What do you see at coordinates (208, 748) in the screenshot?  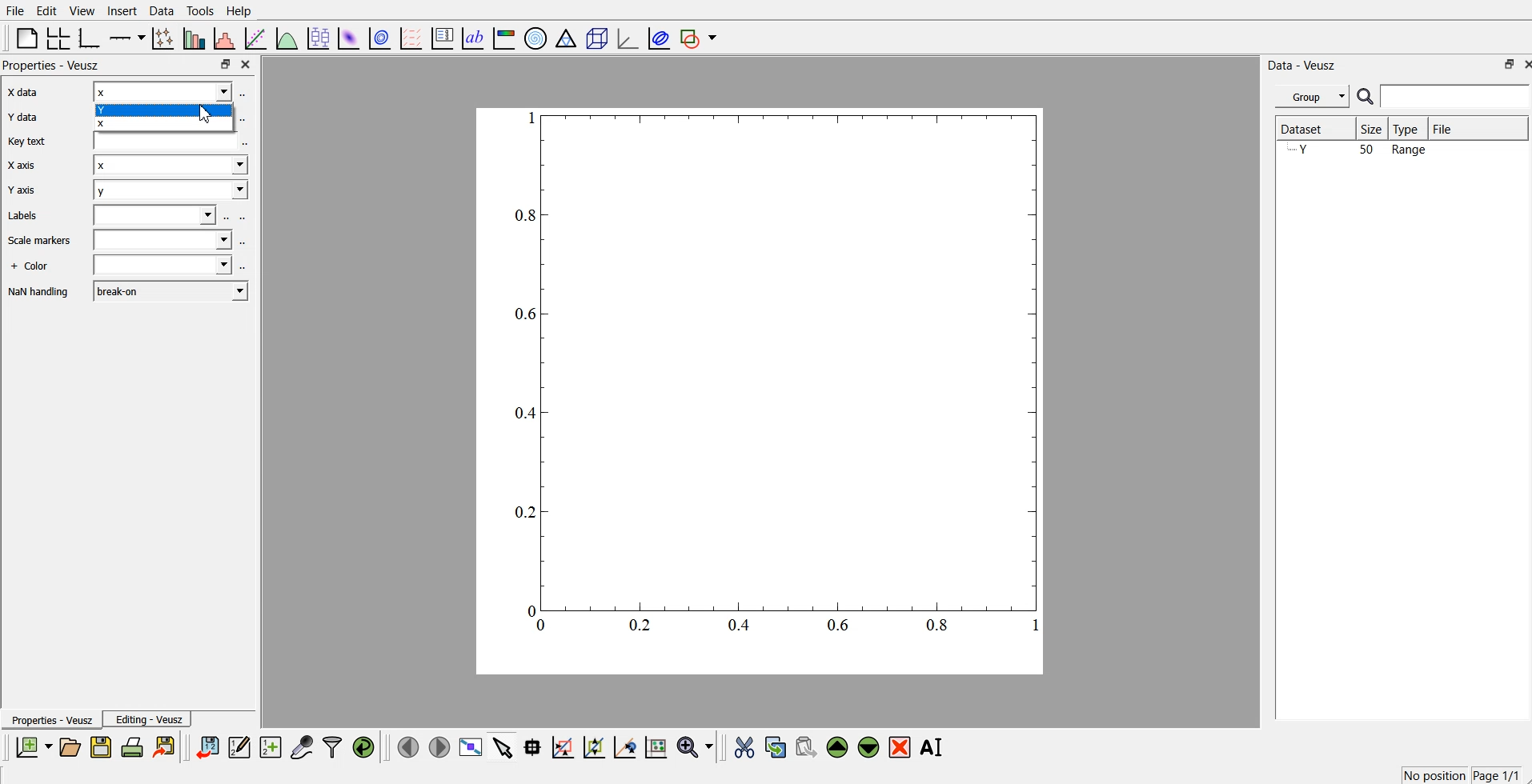 I see `import data points` at bounding box center [208, 748].